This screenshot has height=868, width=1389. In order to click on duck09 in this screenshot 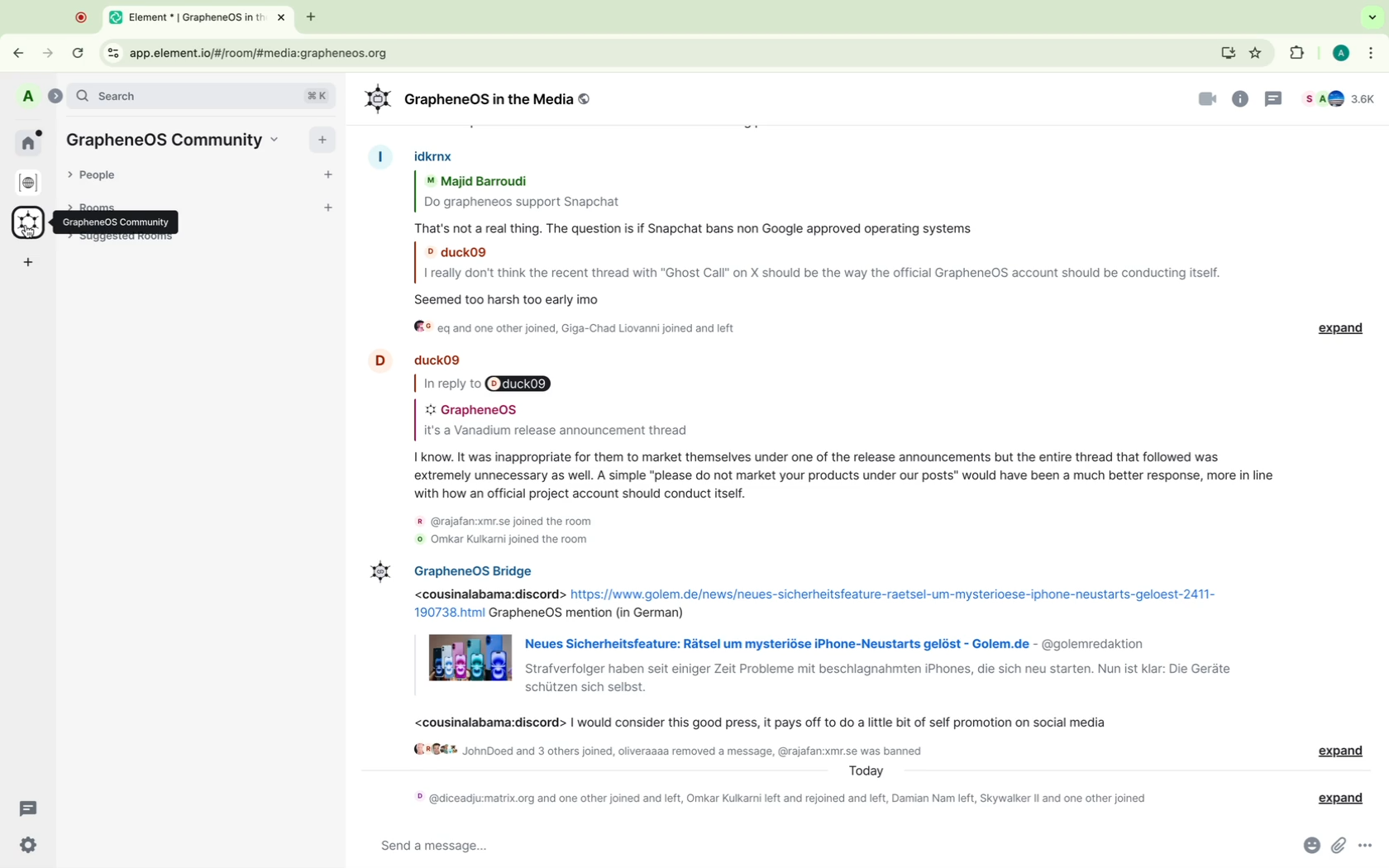, I will do `click(459, 250)`.